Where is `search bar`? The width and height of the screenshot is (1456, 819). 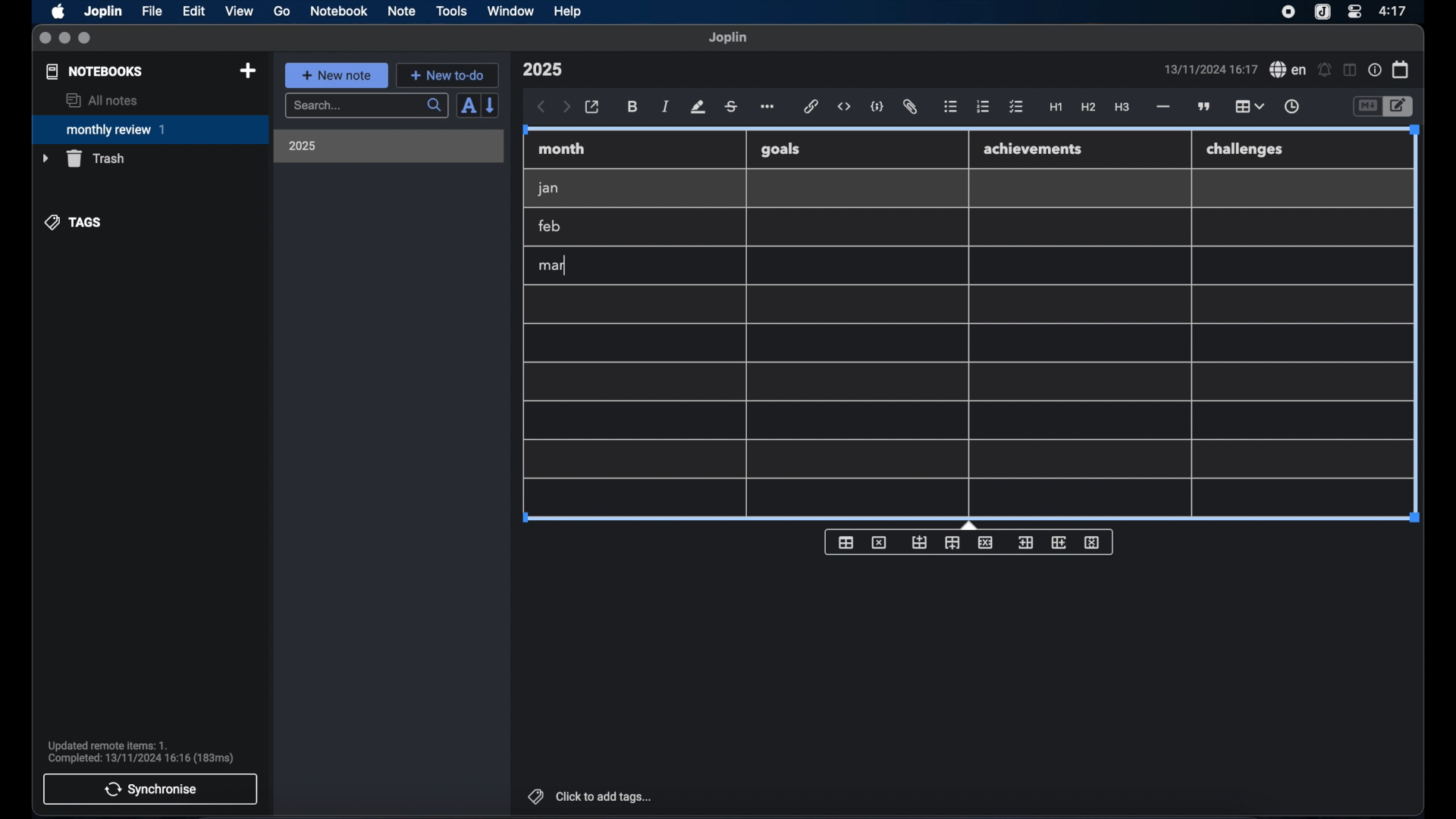 search bar is located at coordinates (366, 107).